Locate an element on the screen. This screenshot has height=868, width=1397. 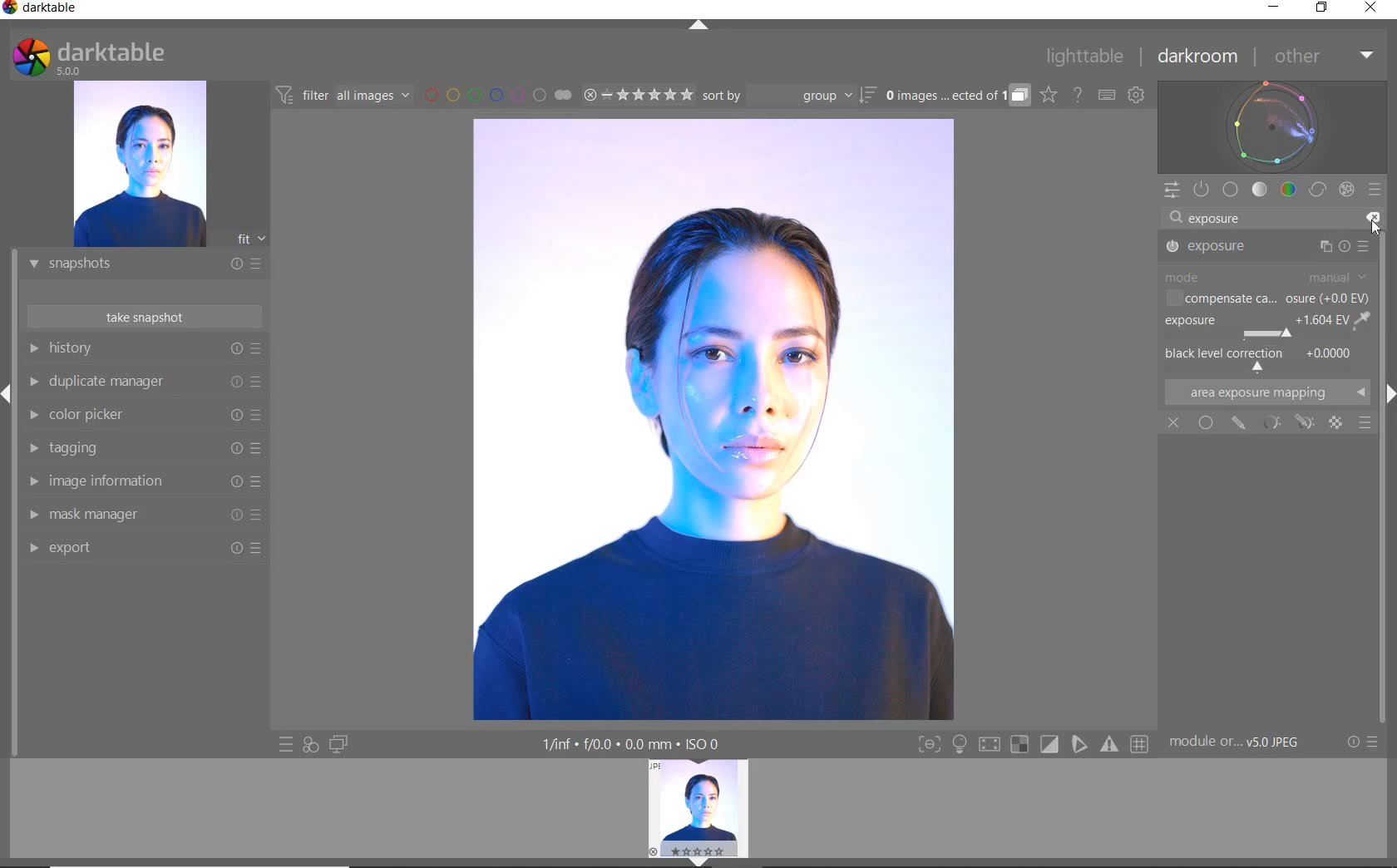
MASK OPTION is located at coordinates (1240, 423).